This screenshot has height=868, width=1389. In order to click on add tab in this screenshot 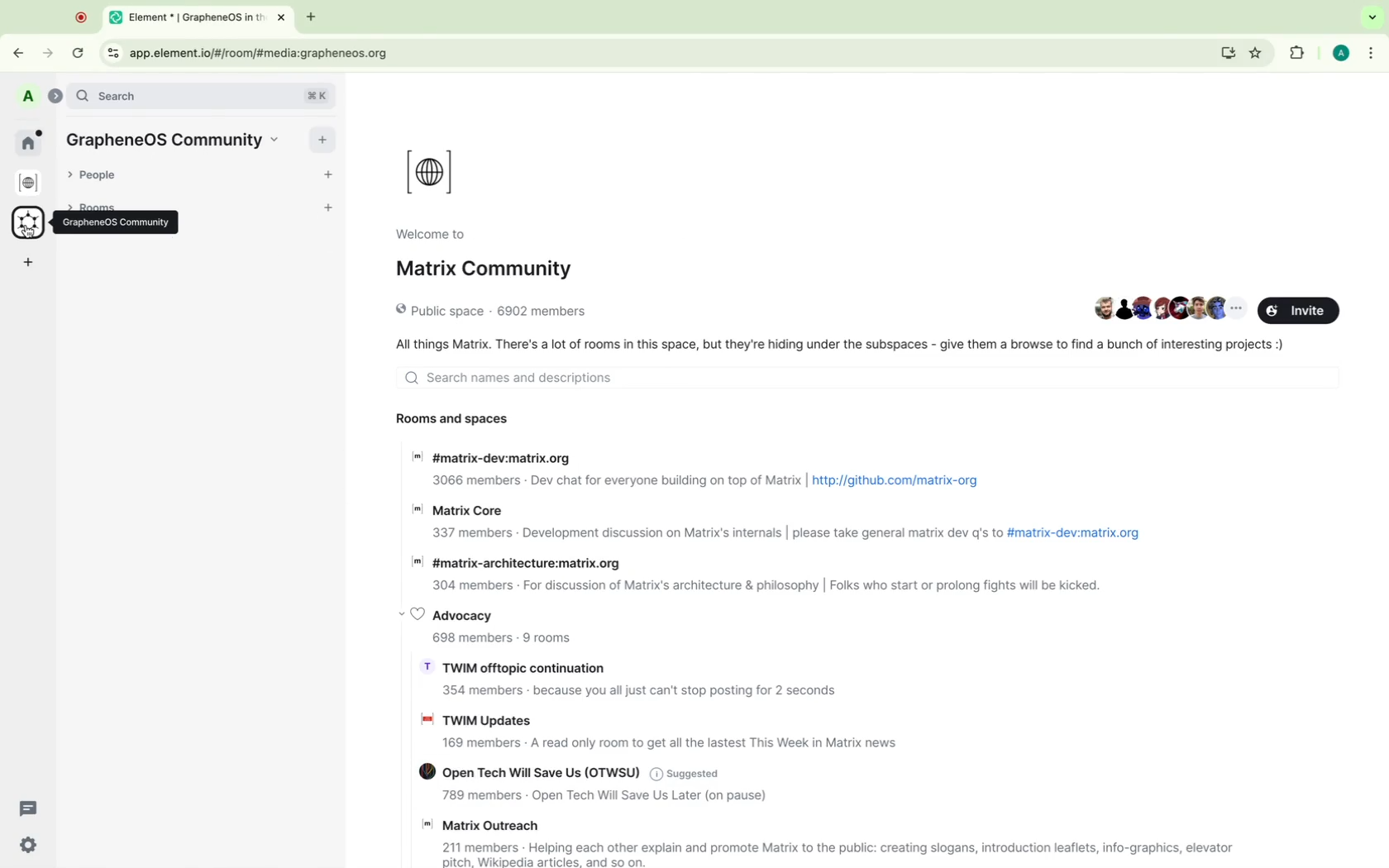, I will do `click(312, 17)`.